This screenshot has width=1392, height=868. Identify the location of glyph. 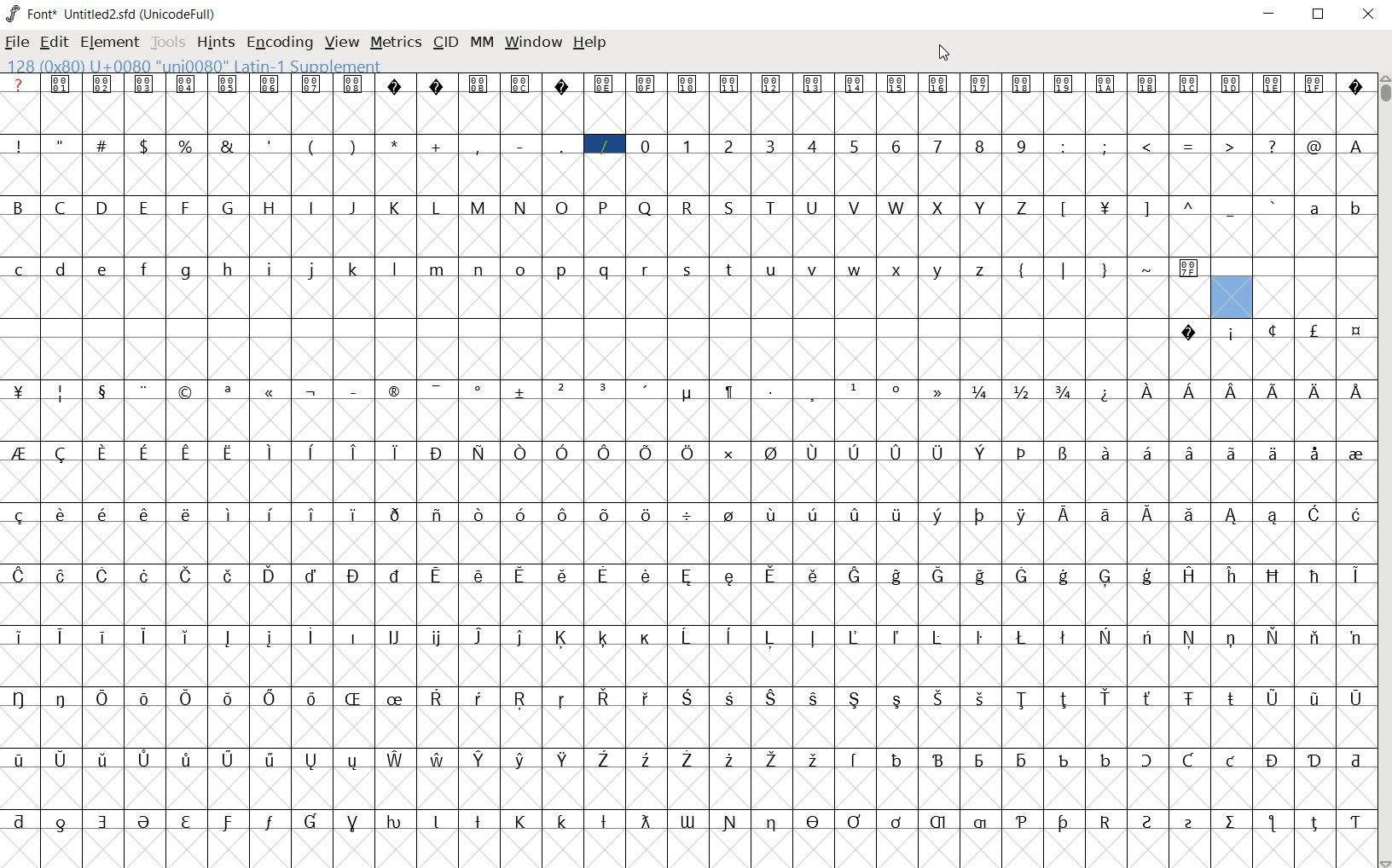
(187, 759).